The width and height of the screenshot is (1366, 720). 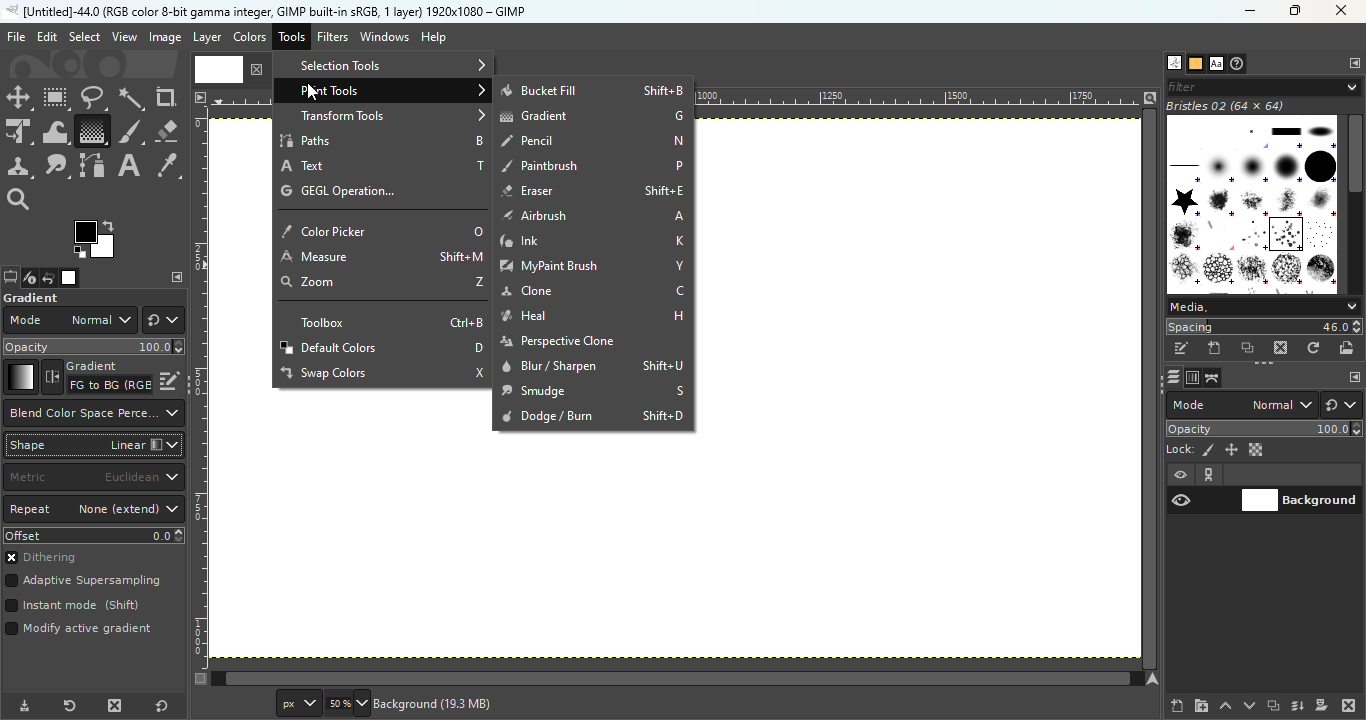 I want to click on Switch to another group of modes, so click(x=163, y=320).